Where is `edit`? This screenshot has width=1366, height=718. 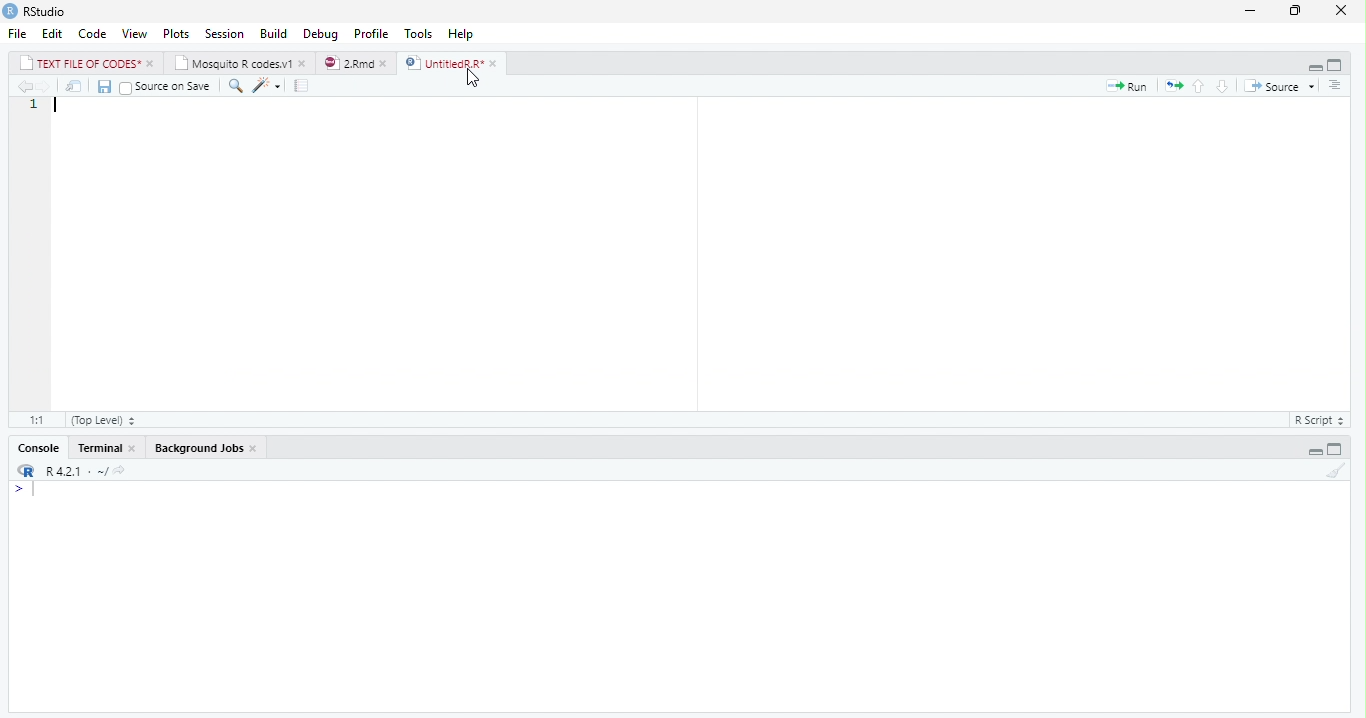 edit is located at coordinates (53, 34).